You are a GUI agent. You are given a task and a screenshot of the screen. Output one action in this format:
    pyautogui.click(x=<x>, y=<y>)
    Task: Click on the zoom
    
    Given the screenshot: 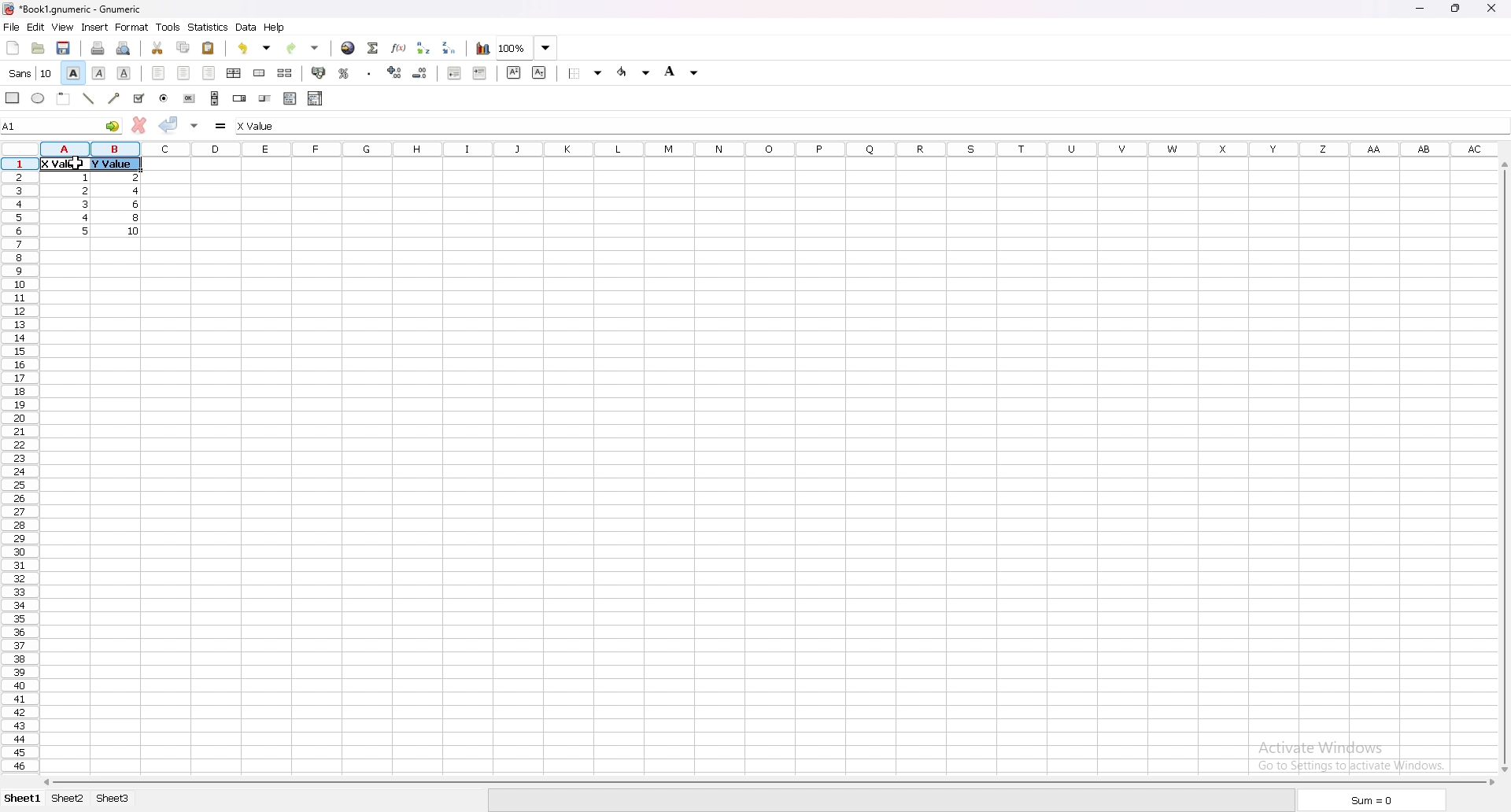 What is the action you would take?
    pyautogui.click(x=526, y=47)
    